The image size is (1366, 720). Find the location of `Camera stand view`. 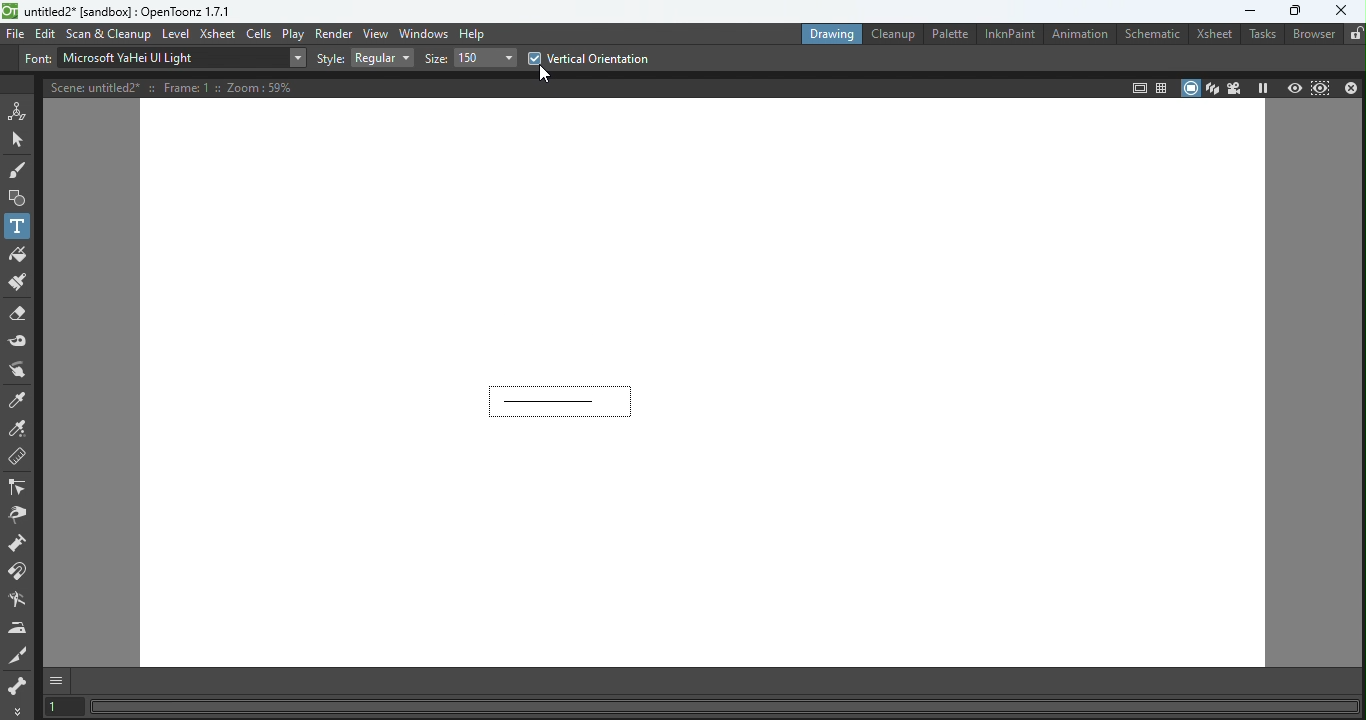

Camera stand view is located at coordinates (1191, 86).